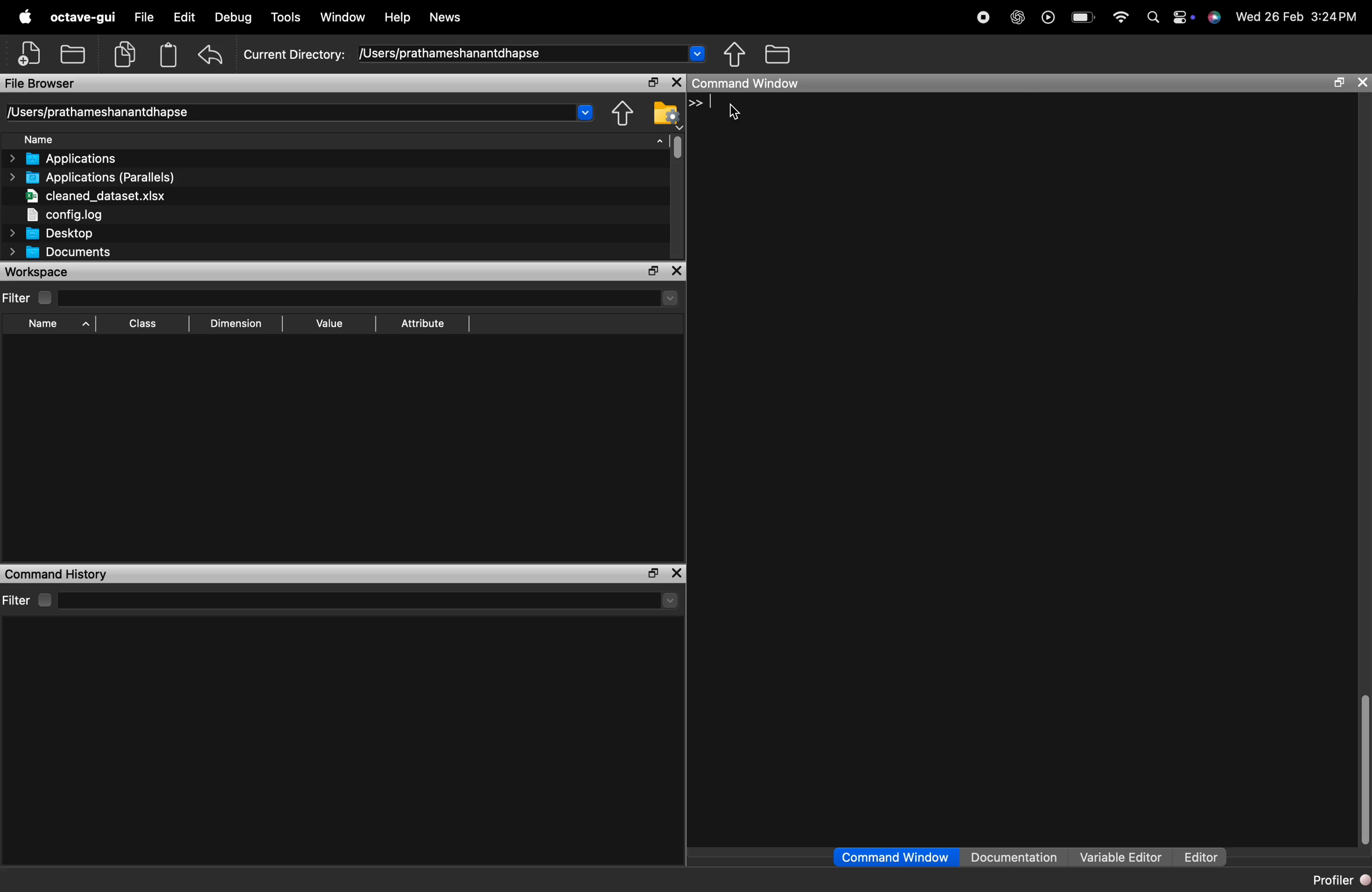 This screenshot has height=892, width=1372. Describe the element at coordinates (737, 112) in the screenshot. I see `Cursor` at that location.